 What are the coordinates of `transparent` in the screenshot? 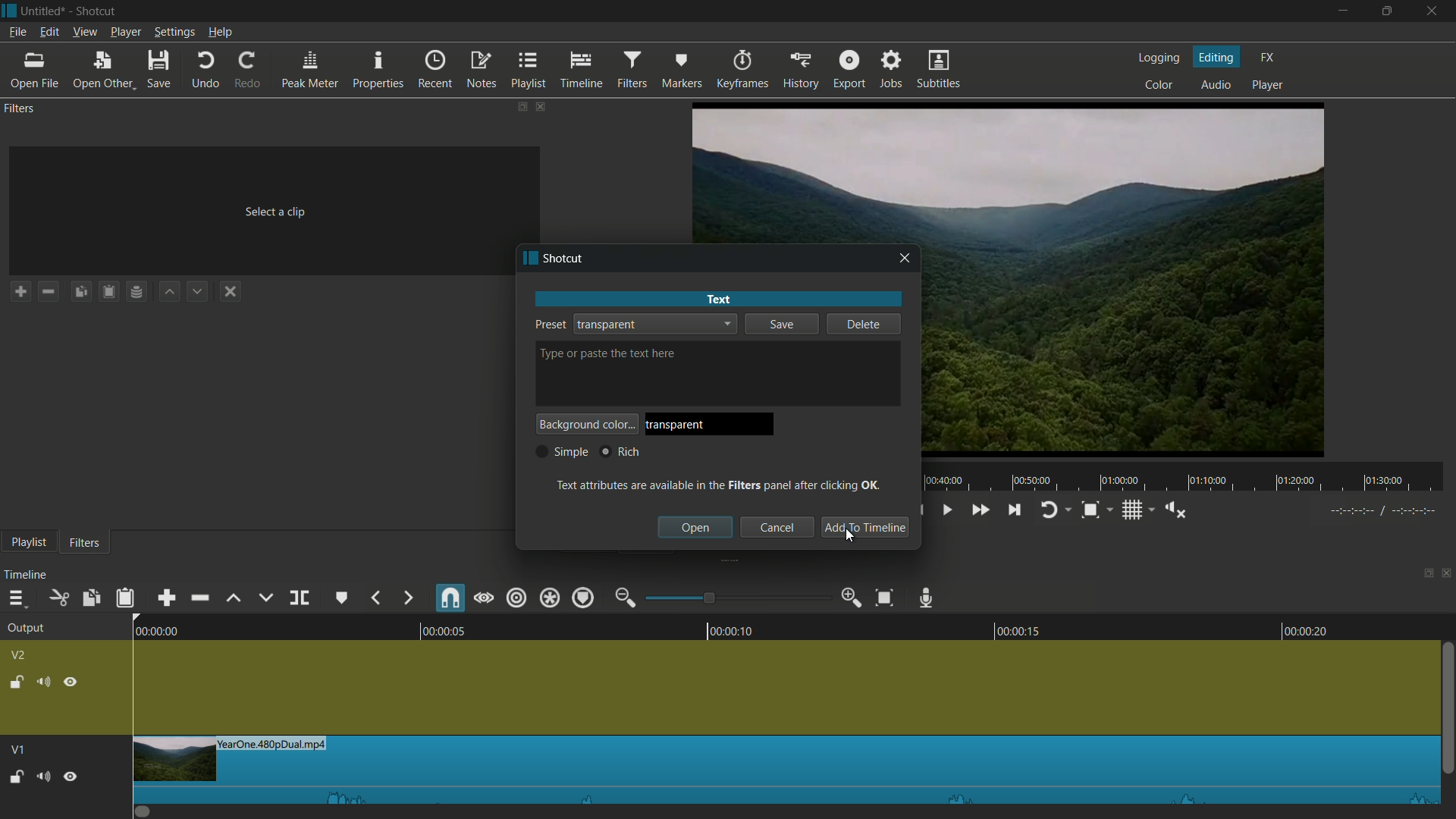 It's located at (679, 425).